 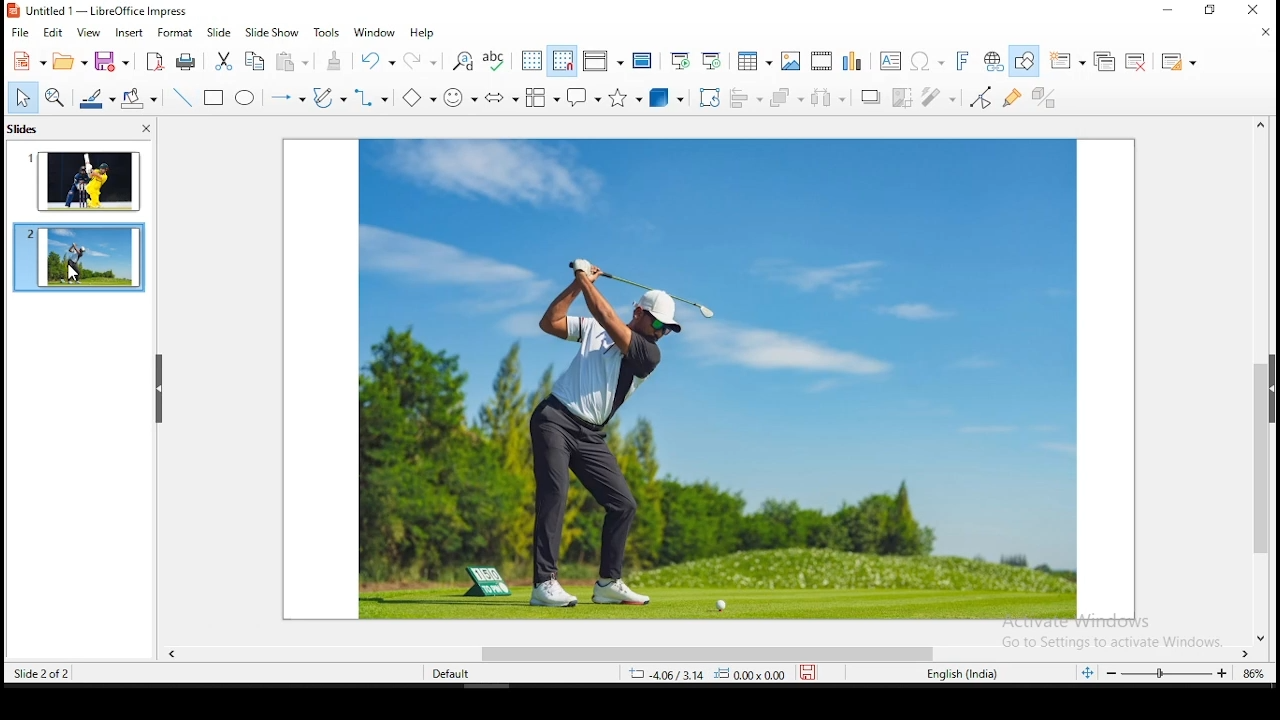 I want to click on close, so click(x=1263, y=34).